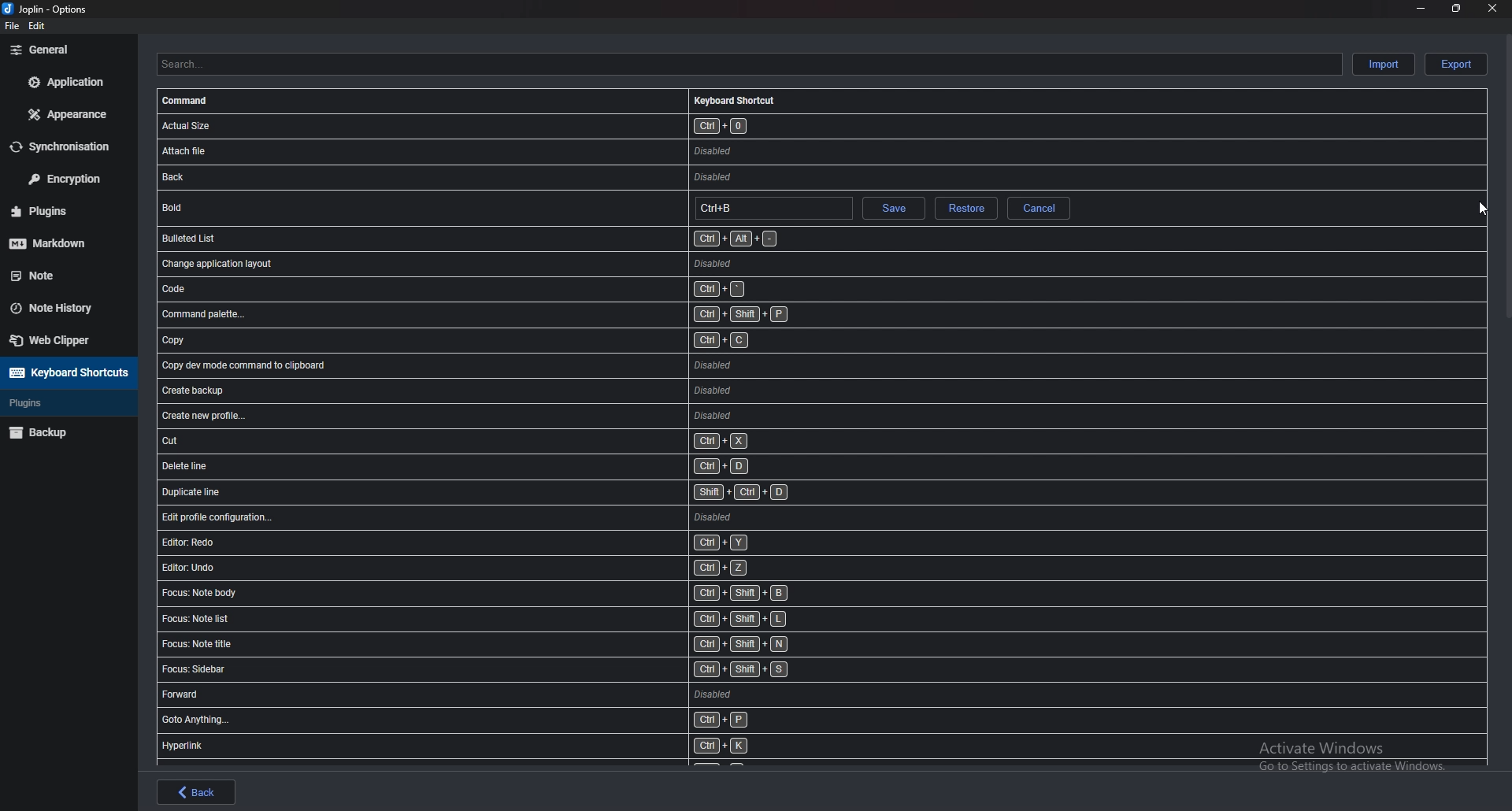 The image size is (1512, 811). Describe the element at coordinates (735, 98) in the screenshot. I see `Keyboard shortcuts` at that location.